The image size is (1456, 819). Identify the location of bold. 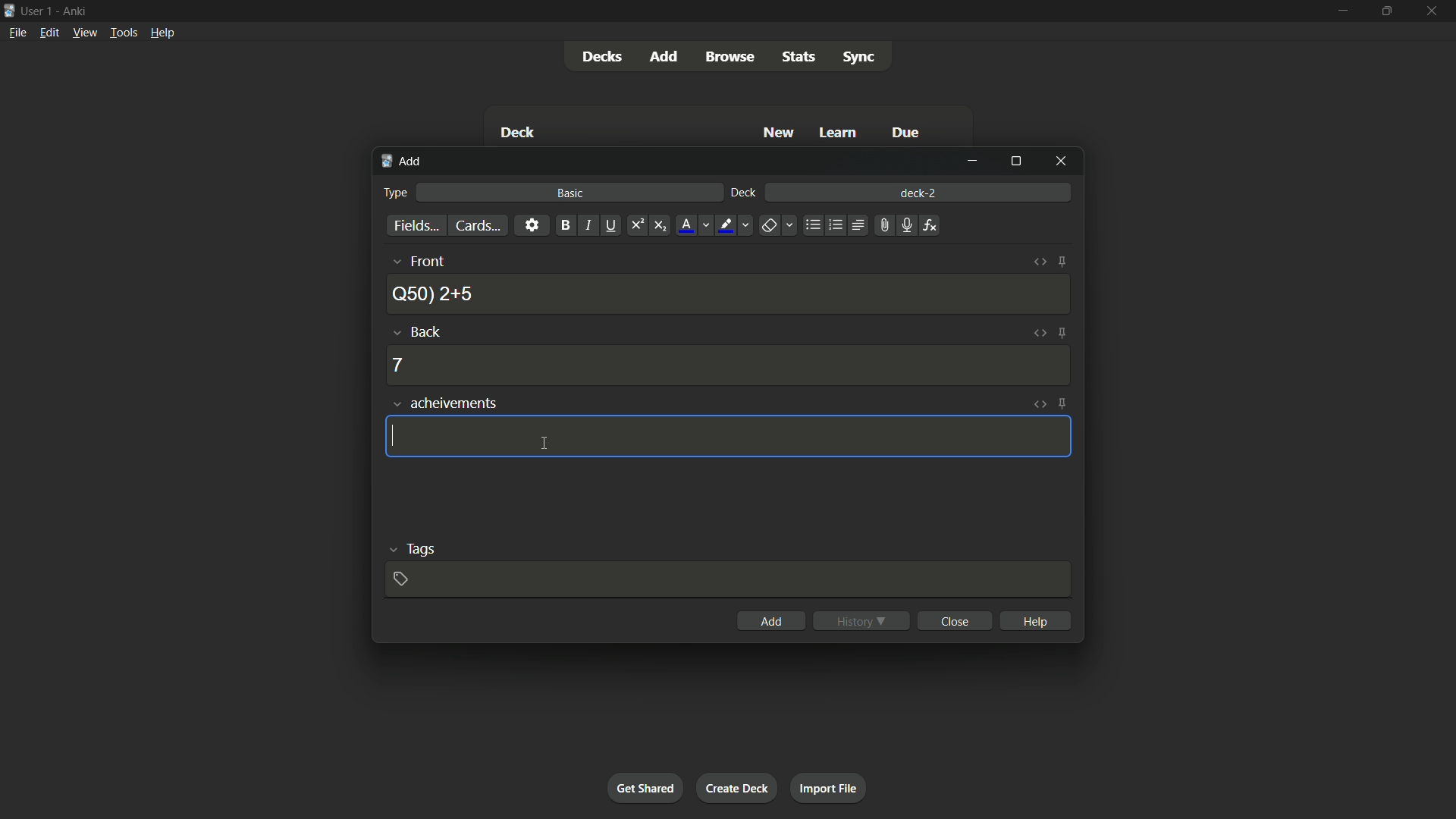
(565, 226).